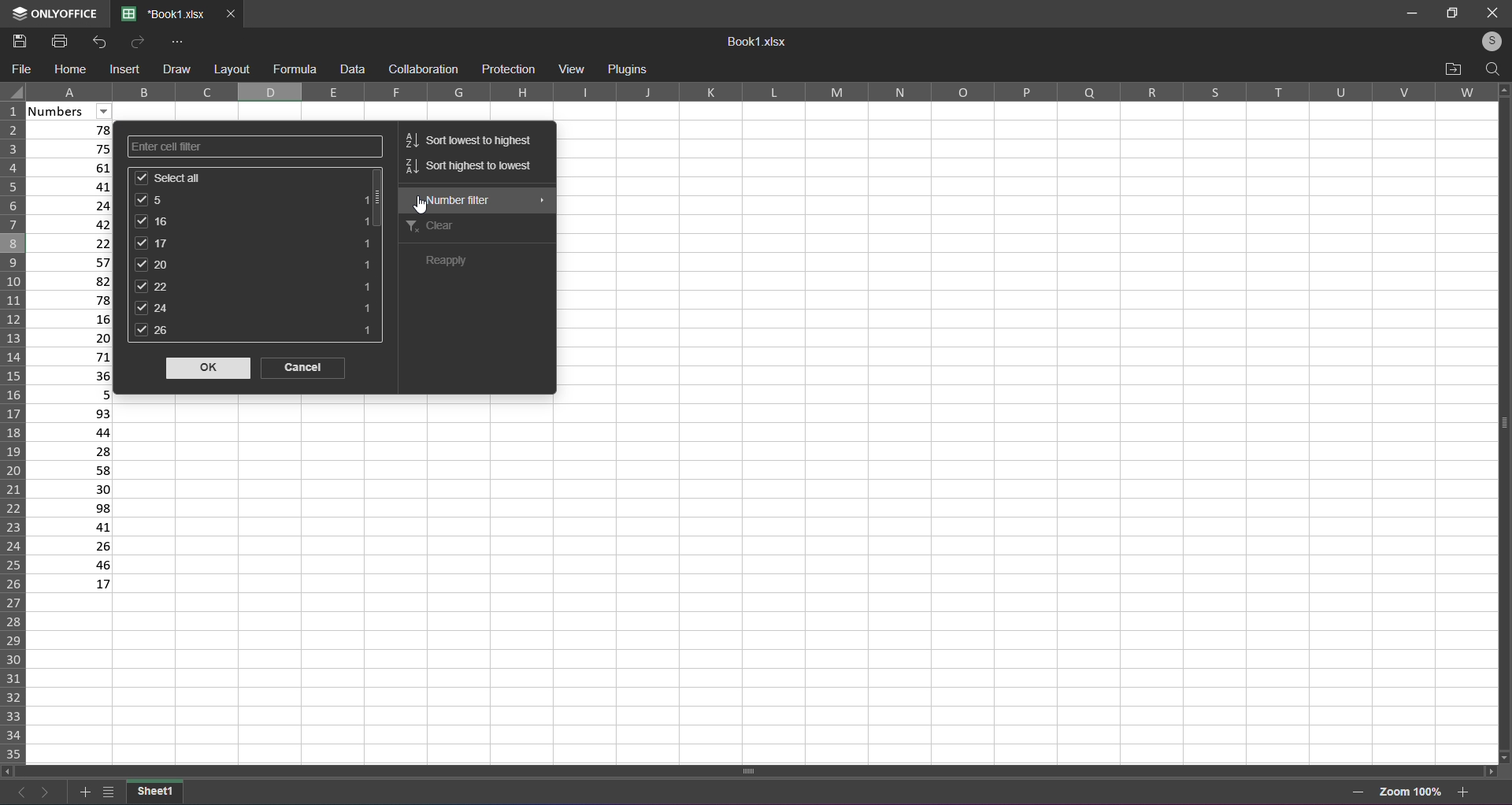  I want to click on more, so click(179, 41).